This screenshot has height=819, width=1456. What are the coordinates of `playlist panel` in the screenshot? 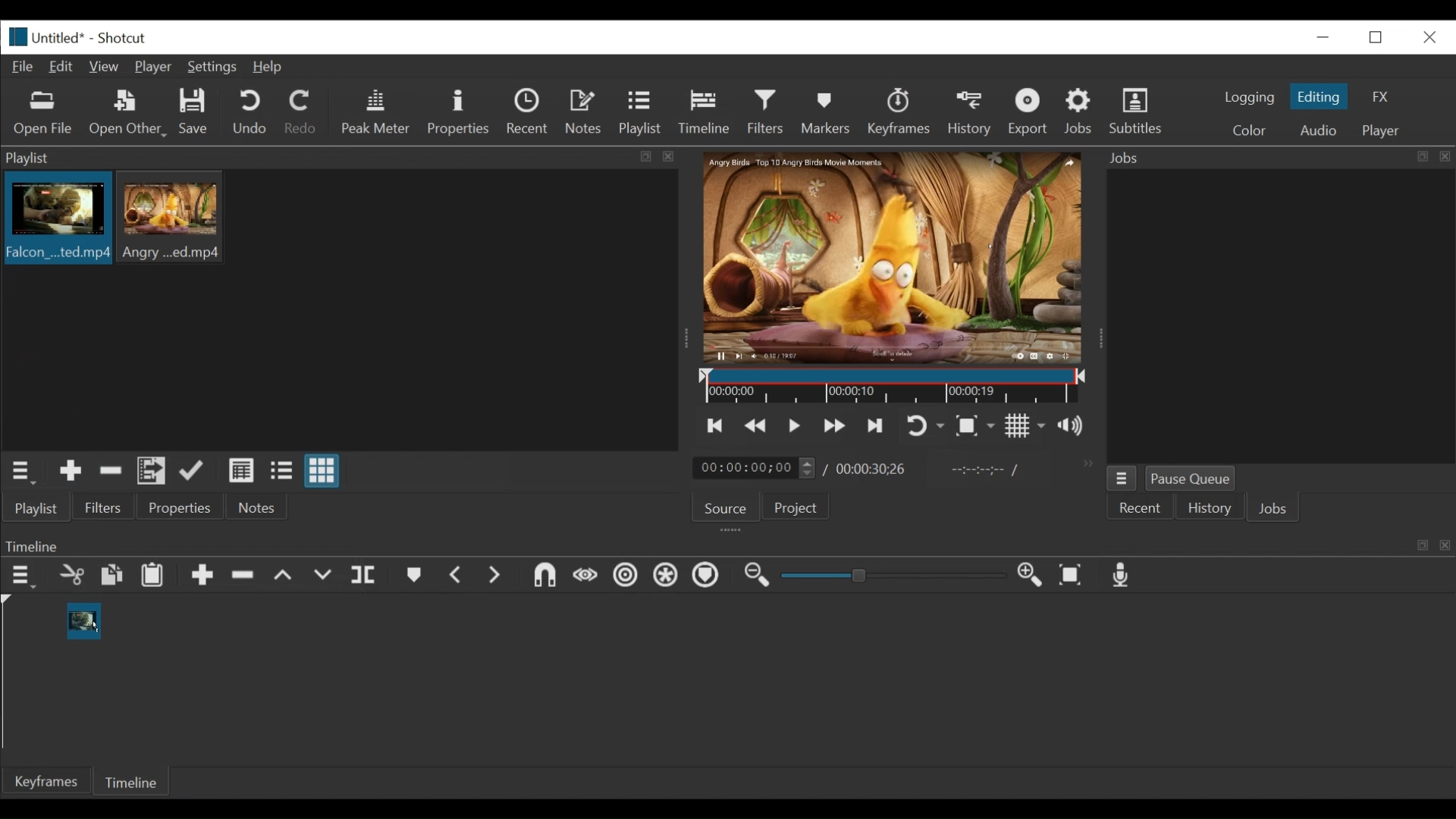 It's located at (334, 158).